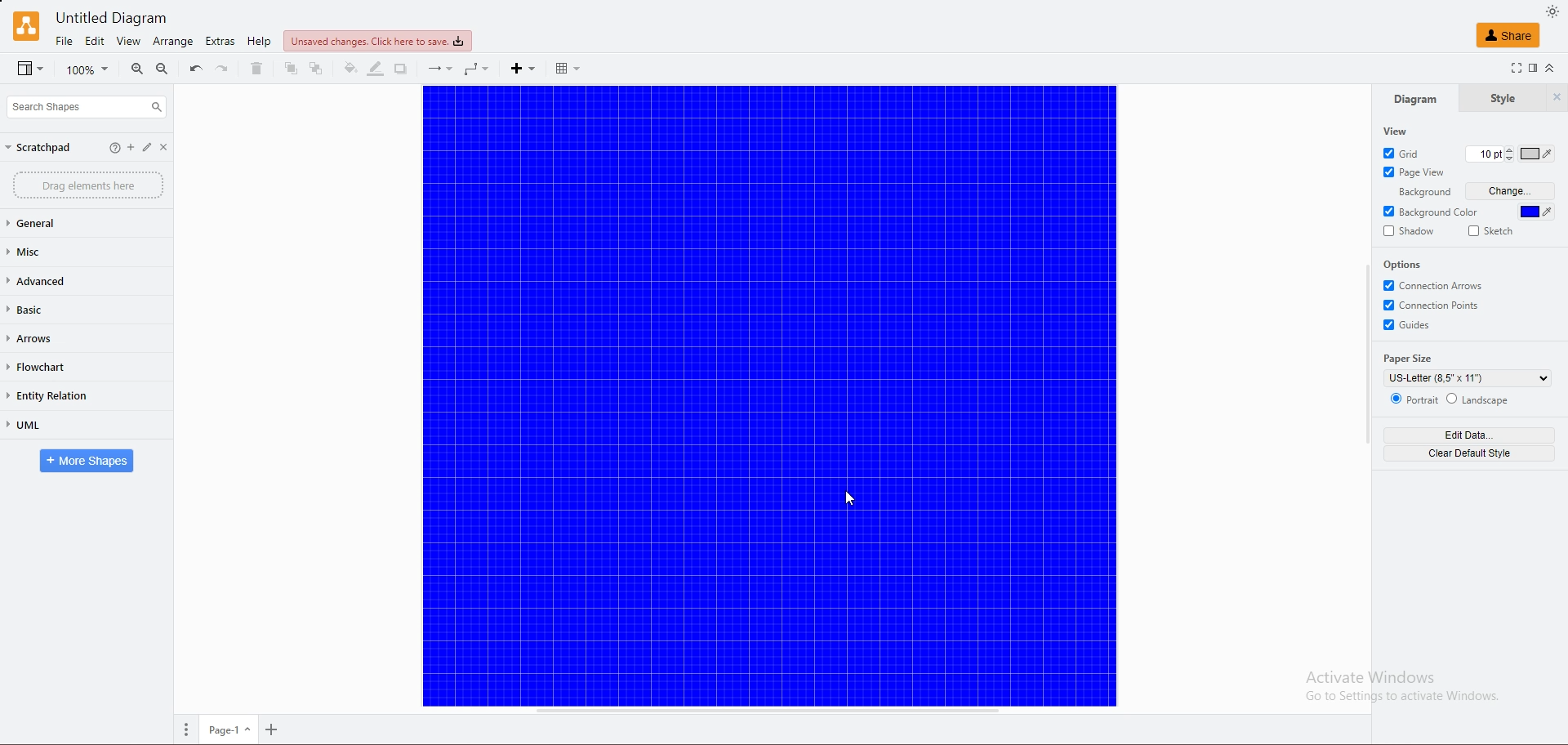 The height and width of the screenshot is (745, 1568). What do you see at coordinates (221, 41) in the screenshot?
I see `extras` at bounding box center [221, 41].